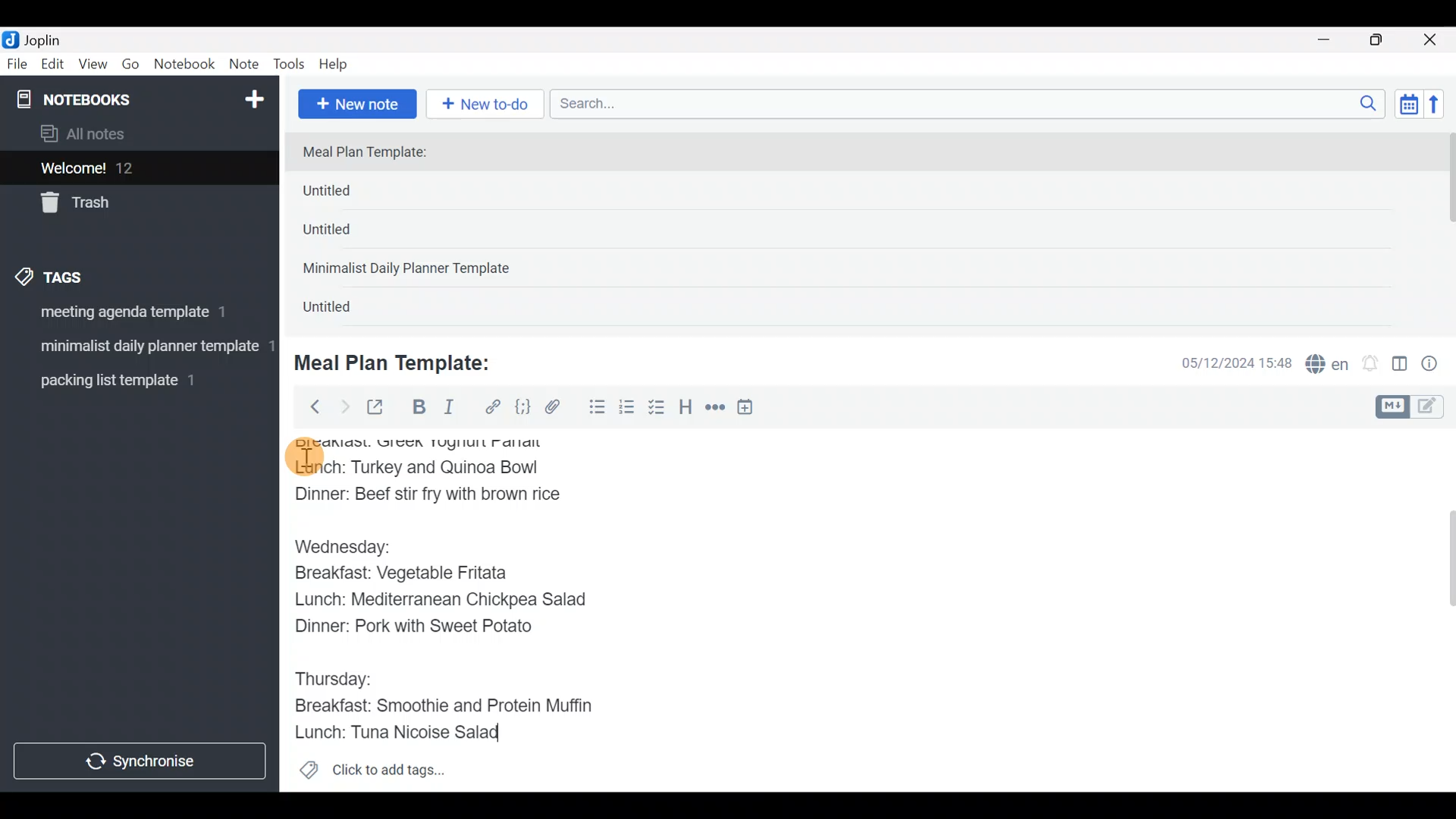  Describe the element at coordinates (427, 630) in the screenshot. I see `Dinner: Pork with Sweet Potato` at that location.